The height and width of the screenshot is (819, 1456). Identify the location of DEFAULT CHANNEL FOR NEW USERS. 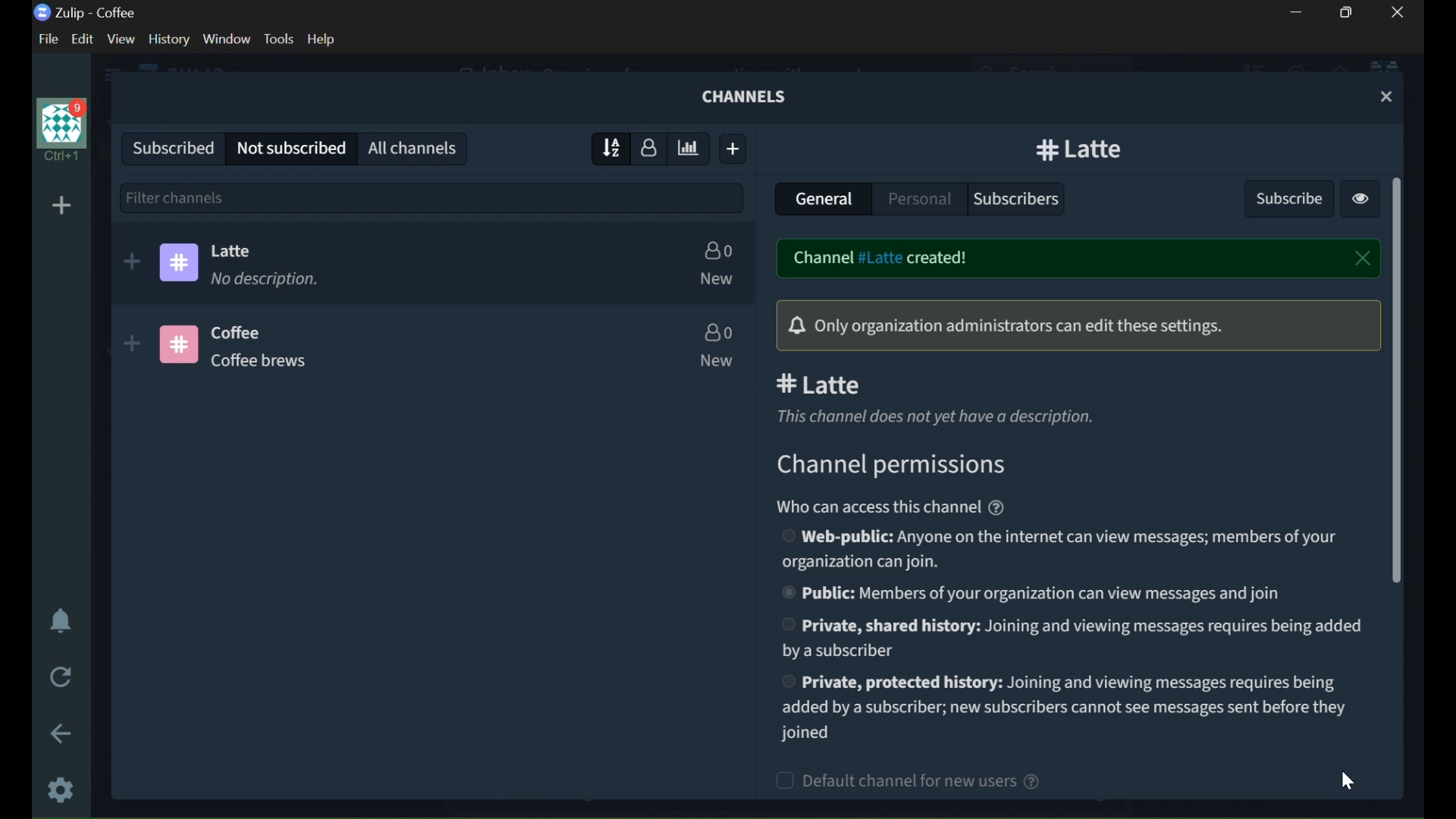
(952, 782).